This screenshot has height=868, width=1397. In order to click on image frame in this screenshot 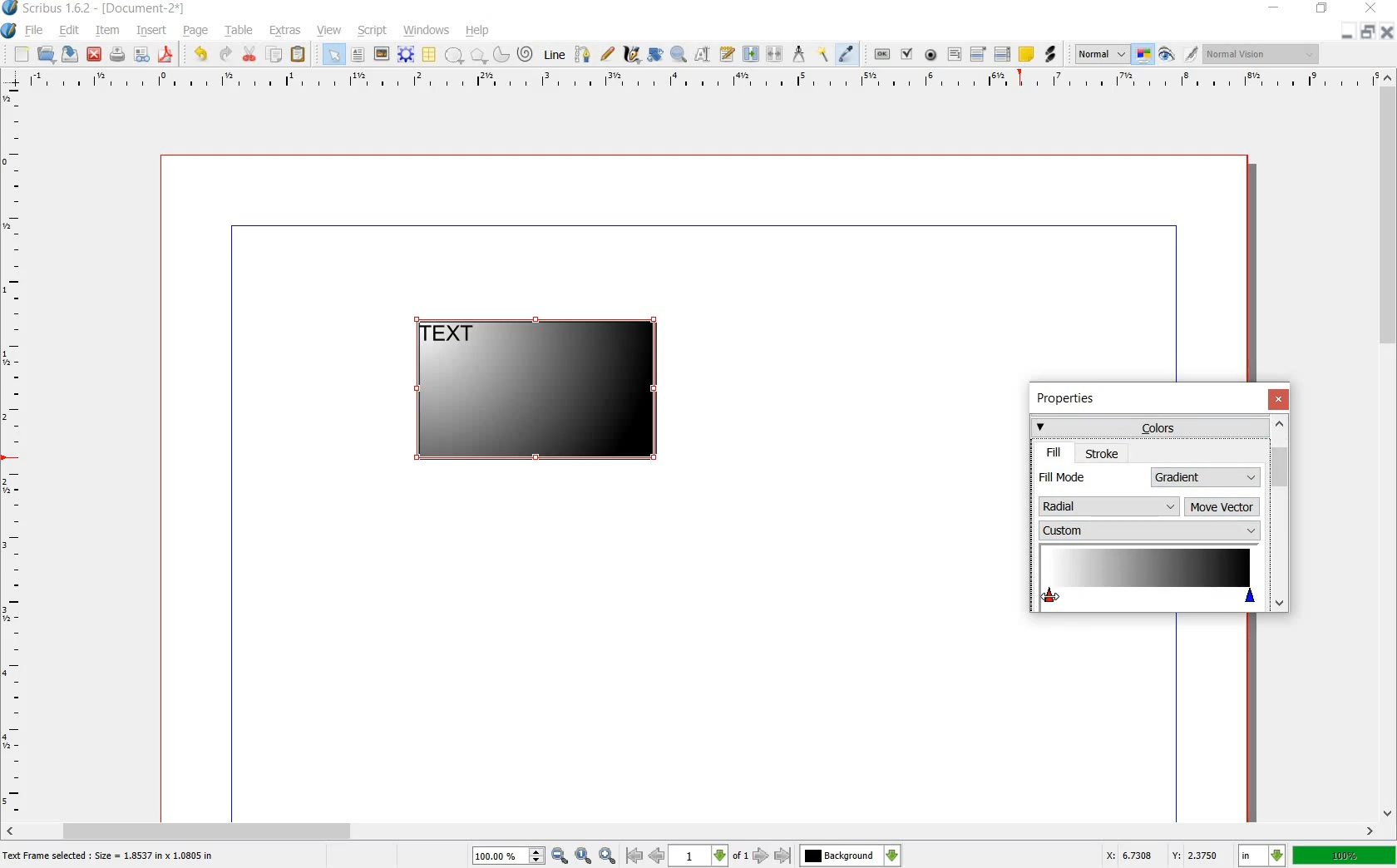, I will do `click(380, 54)`.